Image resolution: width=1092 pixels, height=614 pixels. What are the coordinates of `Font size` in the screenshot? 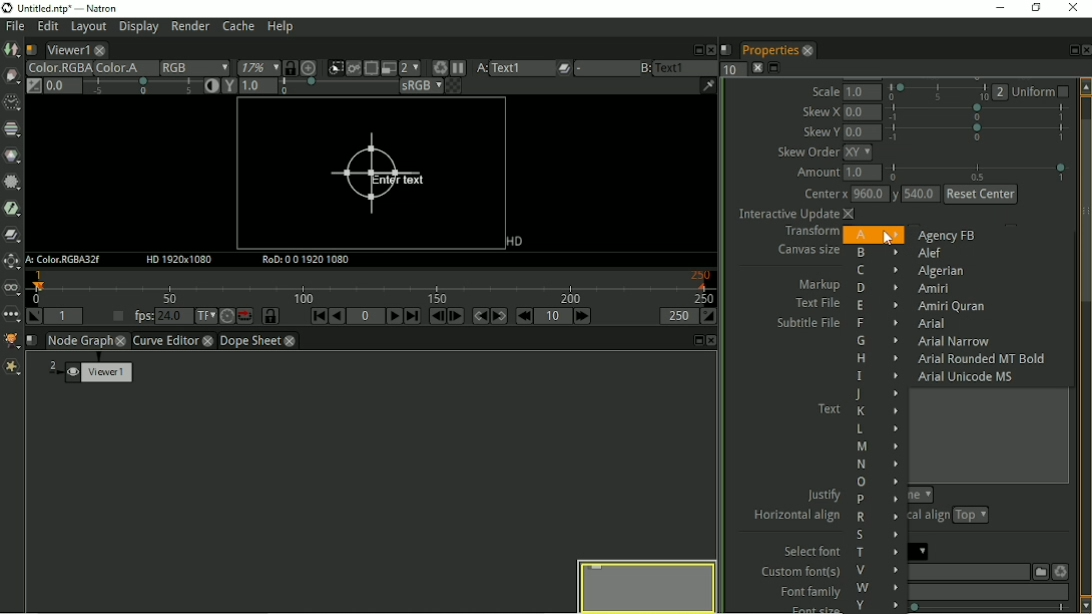 It's located at (806, 608).